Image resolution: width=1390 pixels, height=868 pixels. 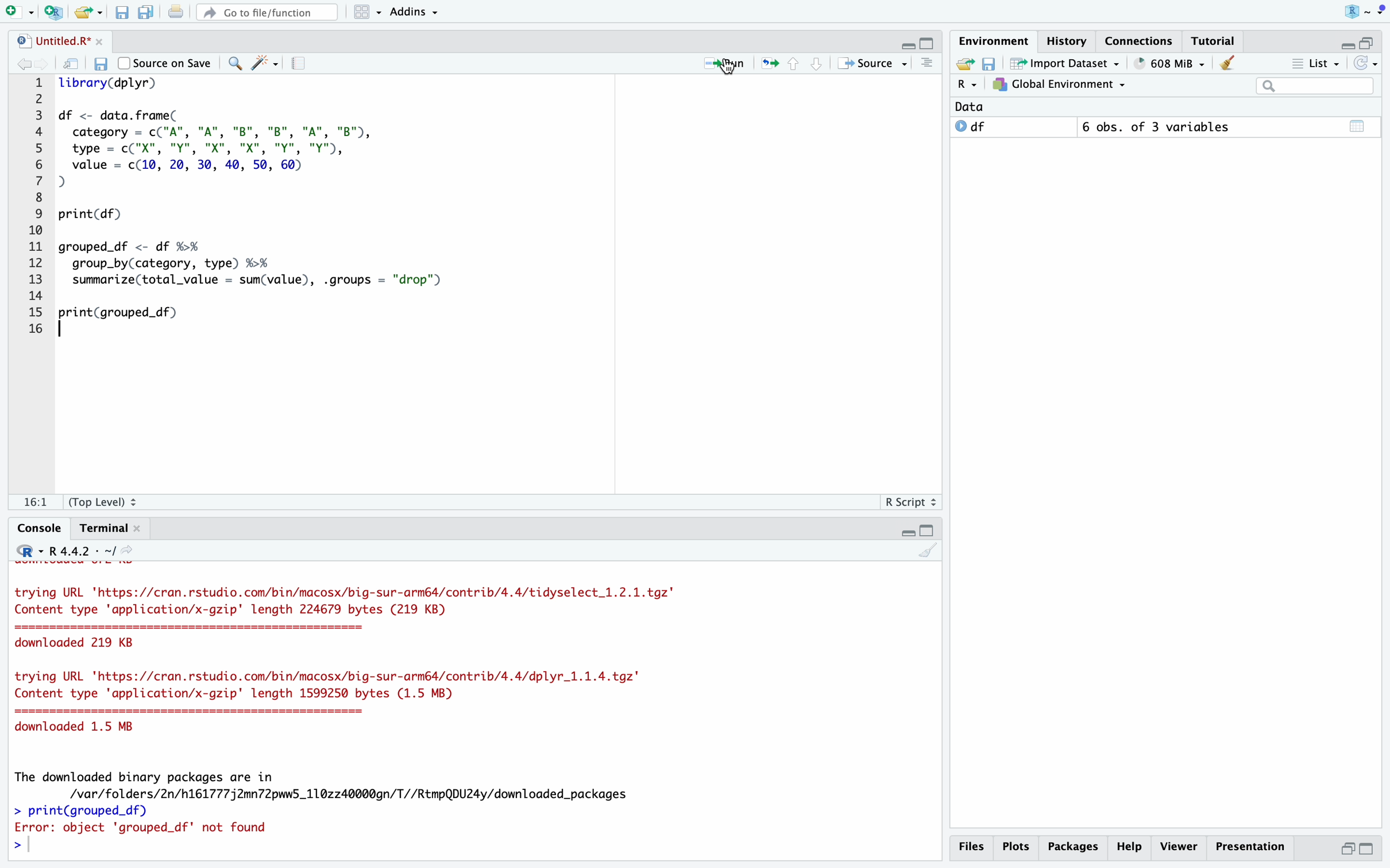 I want to click on Hide, so click(x=906, y=44).